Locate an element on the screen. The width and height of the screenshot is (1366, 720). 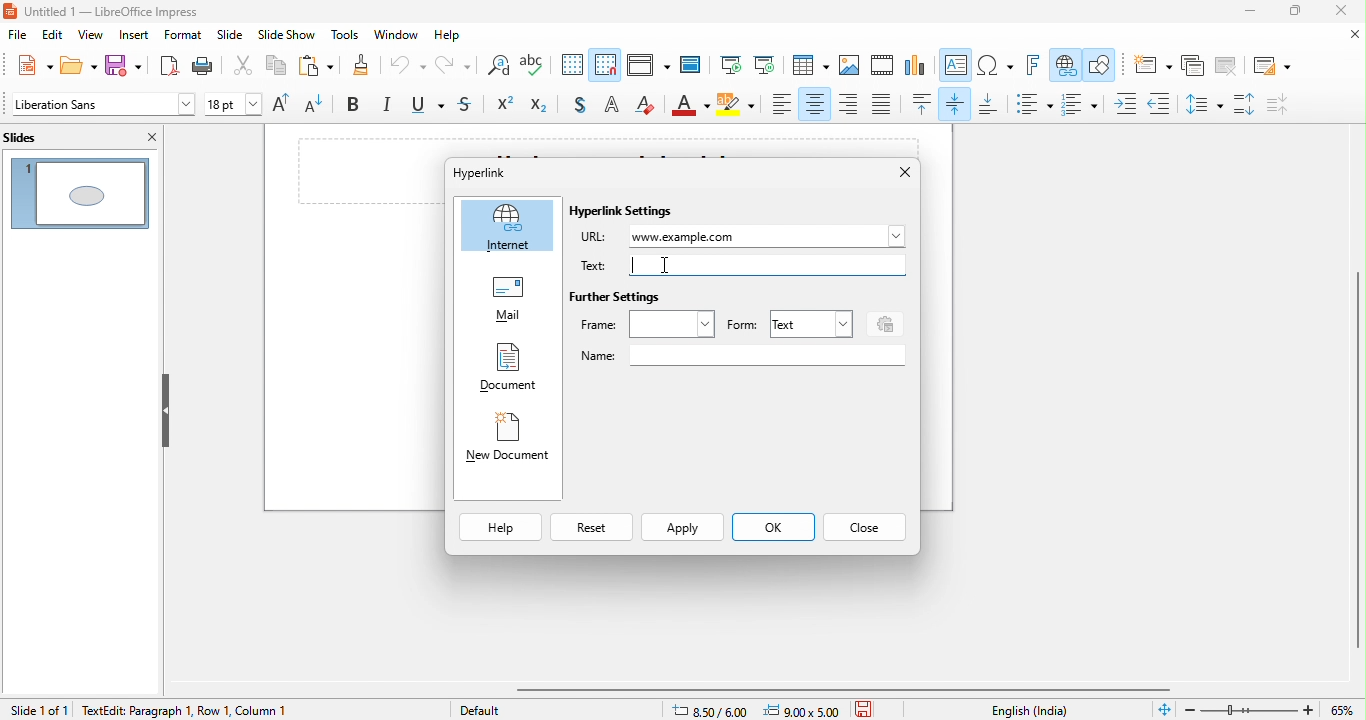
open is located at coordinates (76, 66).